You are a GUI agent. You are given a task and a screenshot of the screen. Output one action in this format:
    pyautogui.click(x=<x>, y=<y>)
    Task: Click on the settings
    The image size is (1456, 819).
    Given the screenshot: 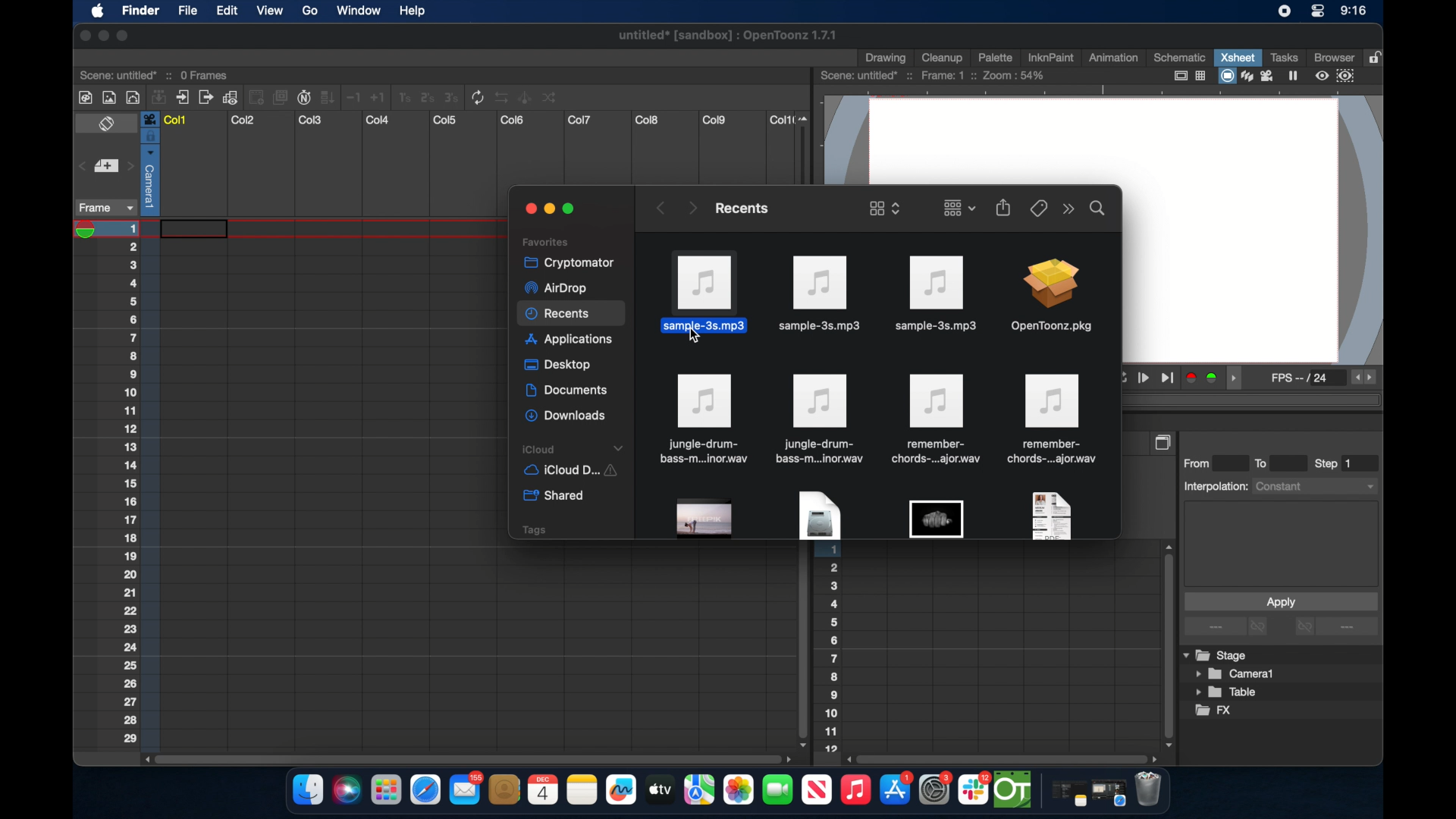 What is the action you would take?
    pyautogui.click(x=937, y=789)
    